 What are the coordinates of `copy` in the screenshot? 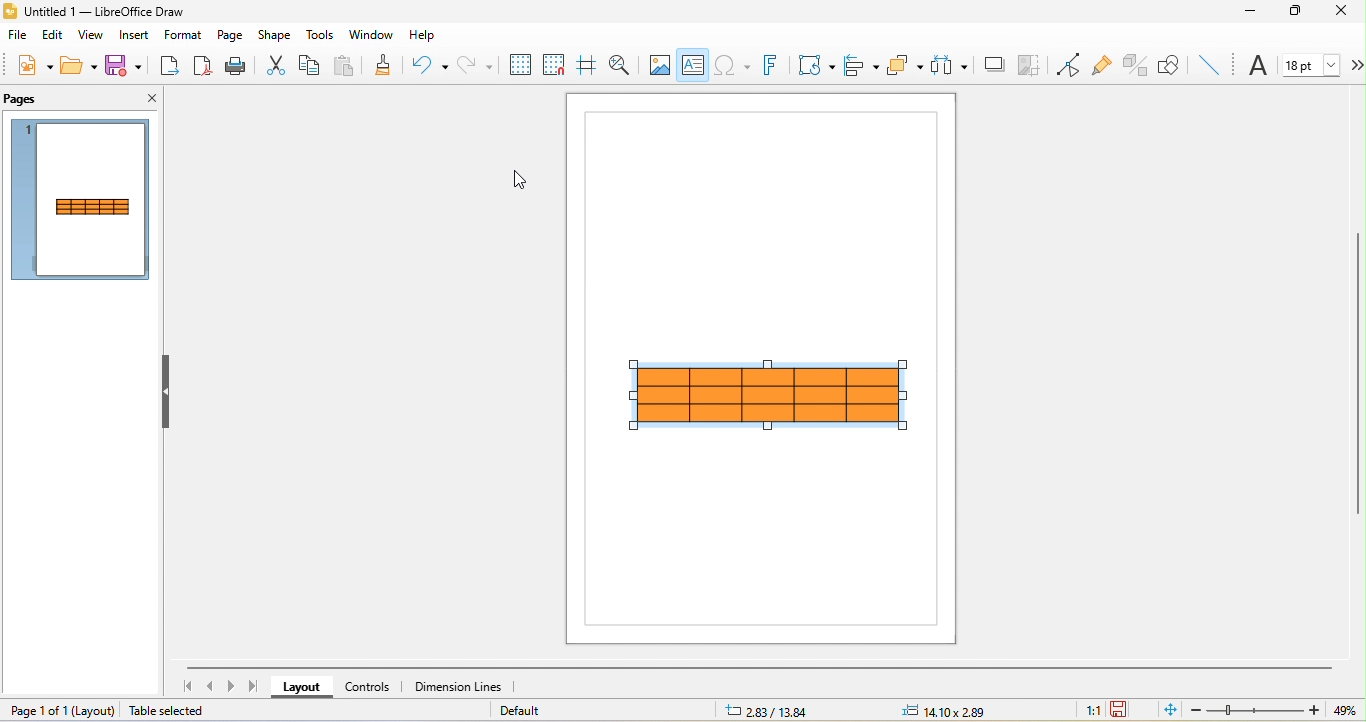 It's located at (310, 67).